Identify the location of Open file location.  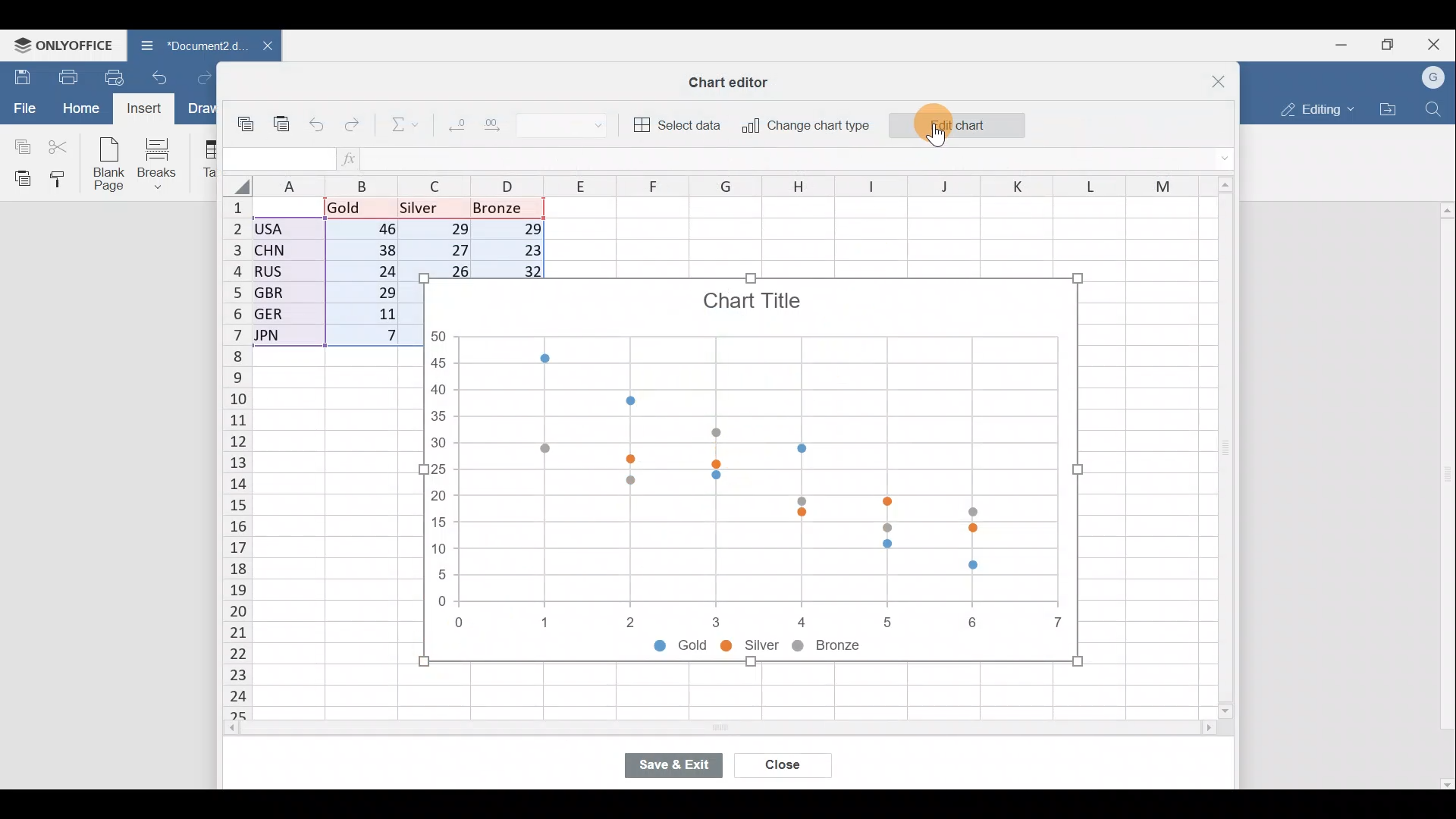
(1389, 108).